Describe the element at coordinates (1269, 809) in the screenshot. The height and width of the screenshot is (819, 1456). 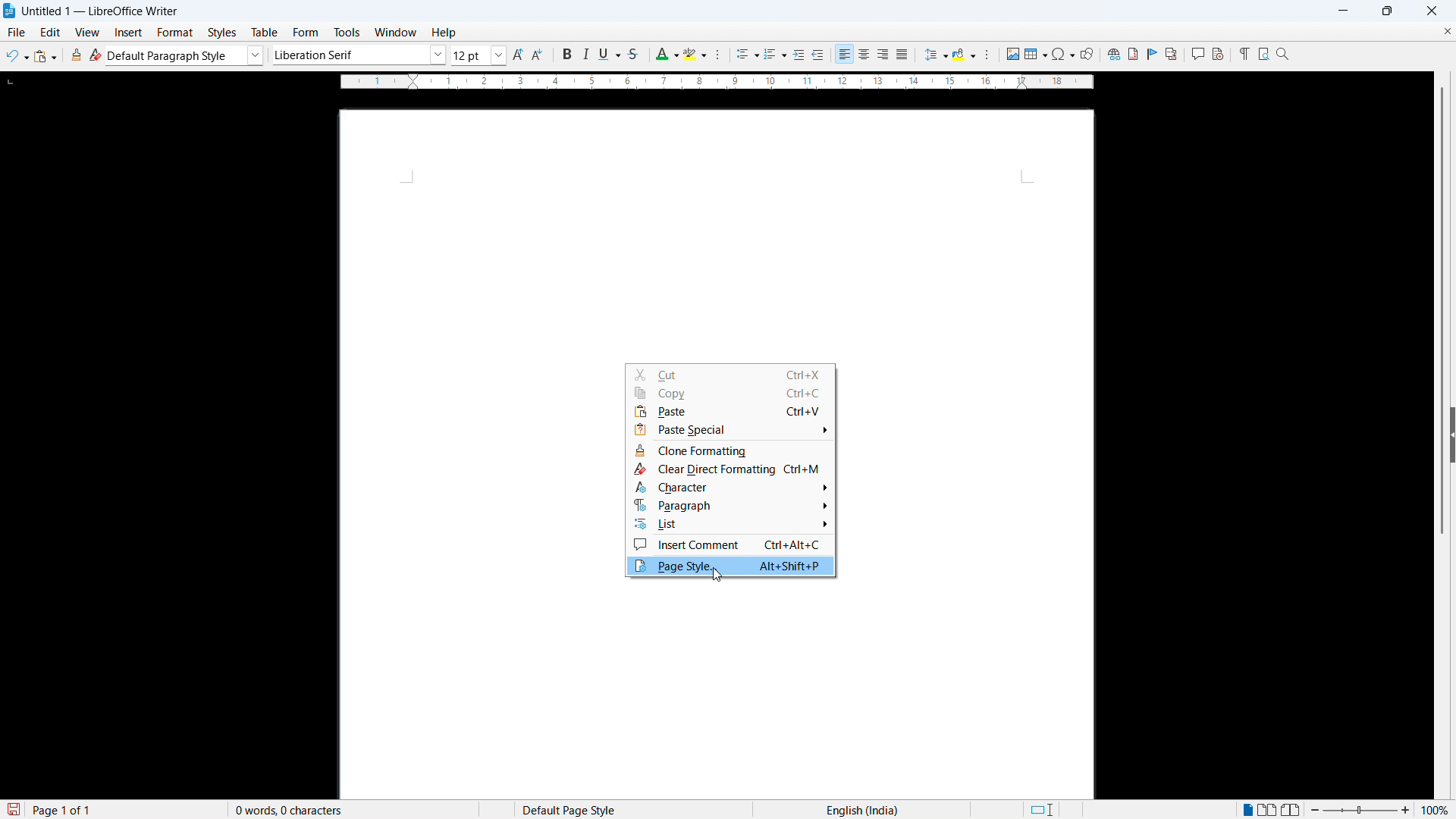
I see `Multiple page view ` at that location.